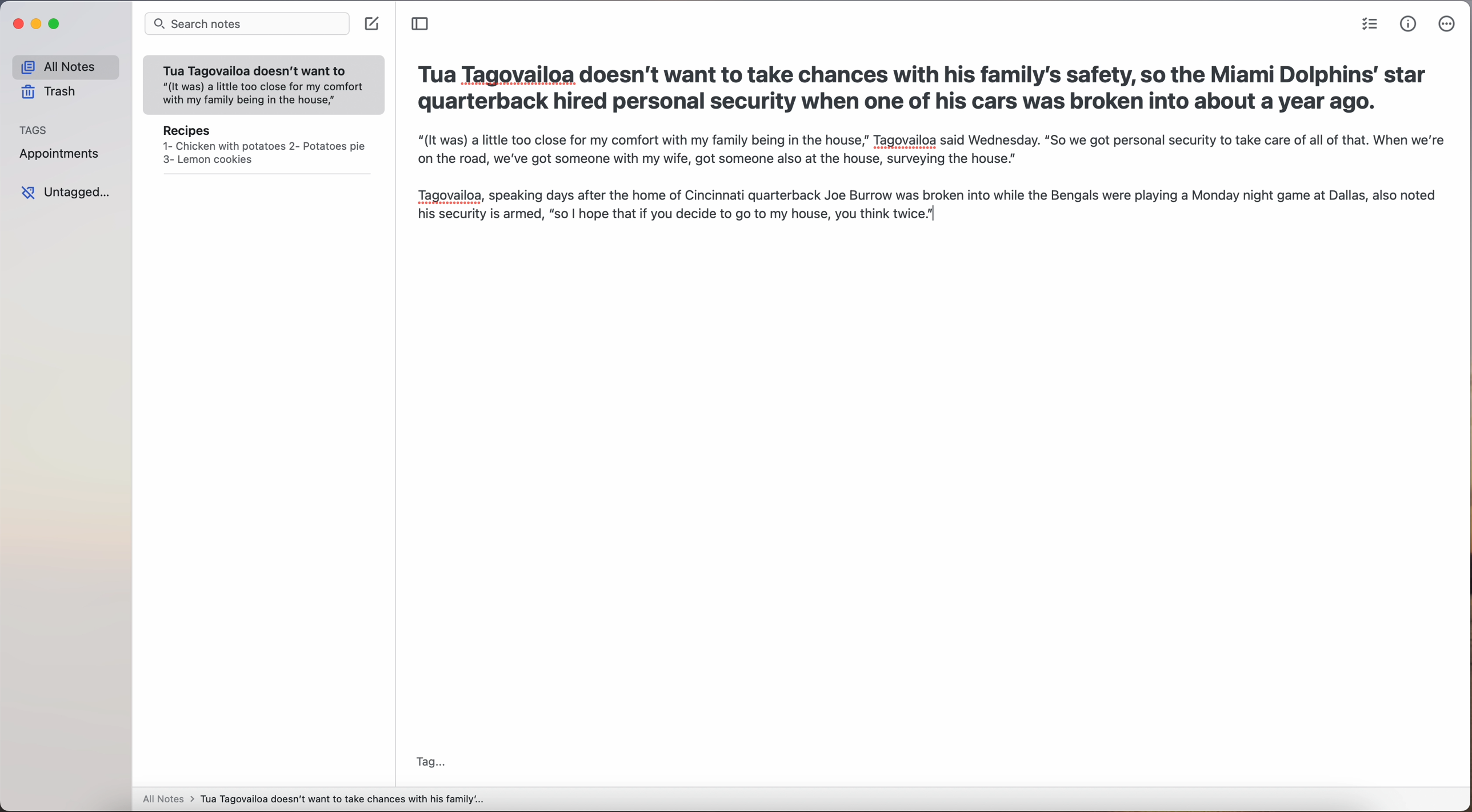  Describe the element at coordinates (246, 26) in the screenshot. I see `search bar` at that location.